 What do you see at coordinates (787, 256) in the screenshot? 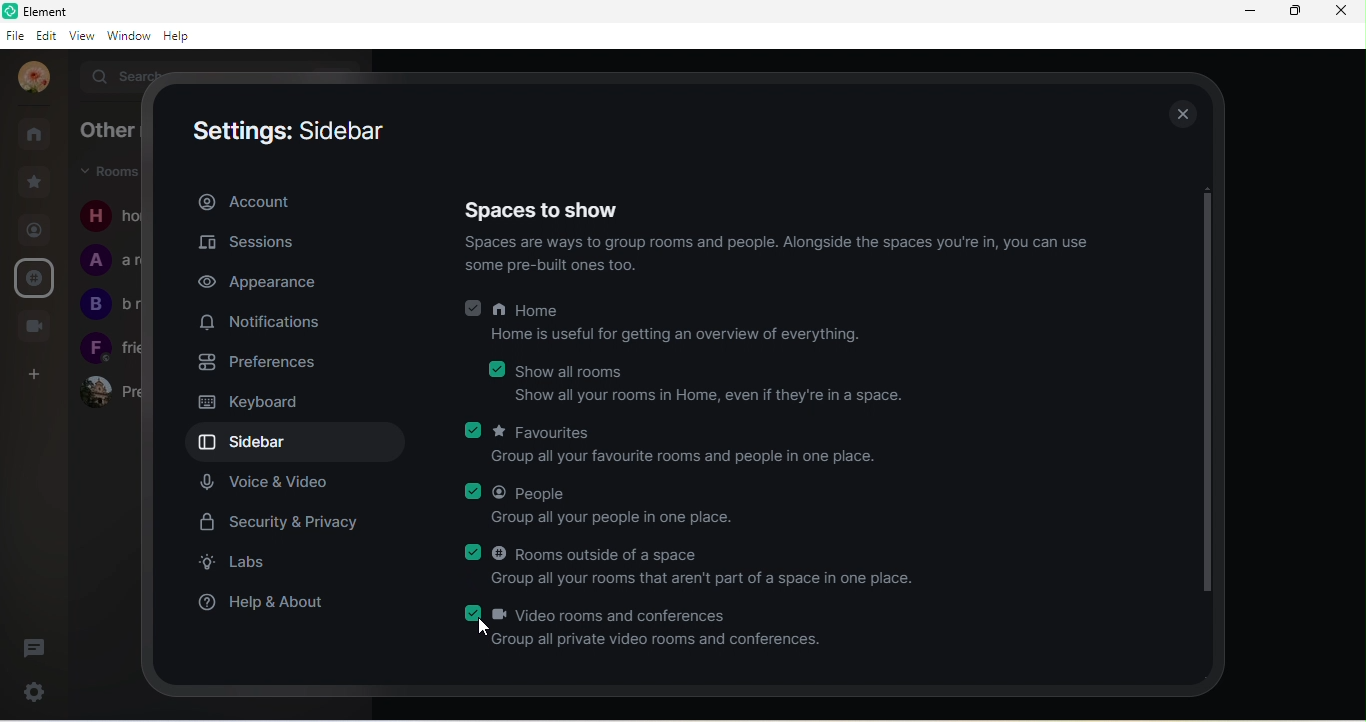
I see `spaces are ways to group rooms and people. along side spaces you are in, you can use some pre built spaces` at bounding box center [787, 256].